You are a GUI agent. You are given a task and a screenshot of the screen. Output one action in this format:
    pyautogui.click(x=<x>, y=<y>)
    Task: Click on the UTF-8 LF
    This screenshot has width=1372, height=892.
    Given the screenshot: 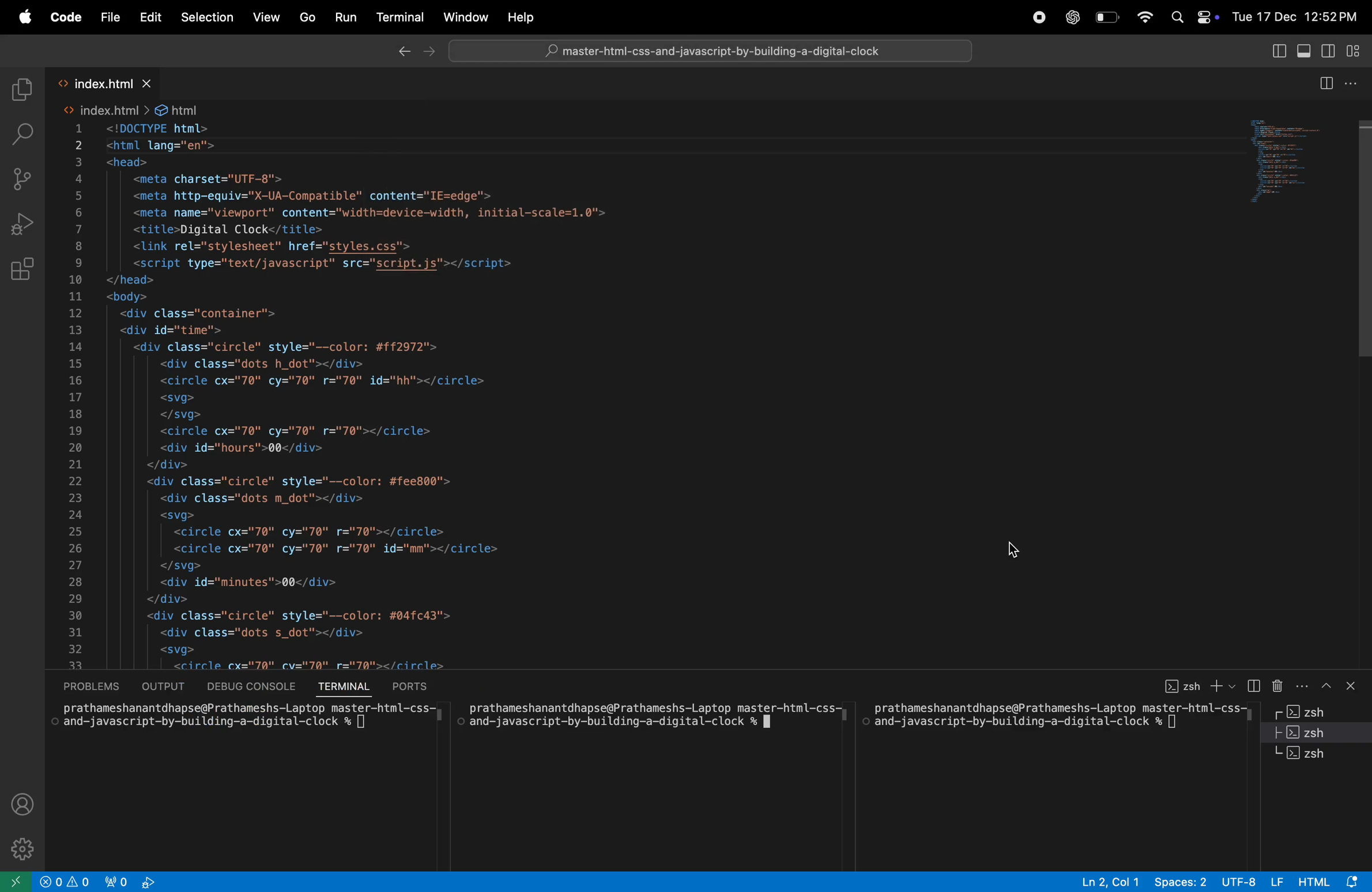 What is the action you would take?
    pyautogui.click(x=1253, y=881)
    